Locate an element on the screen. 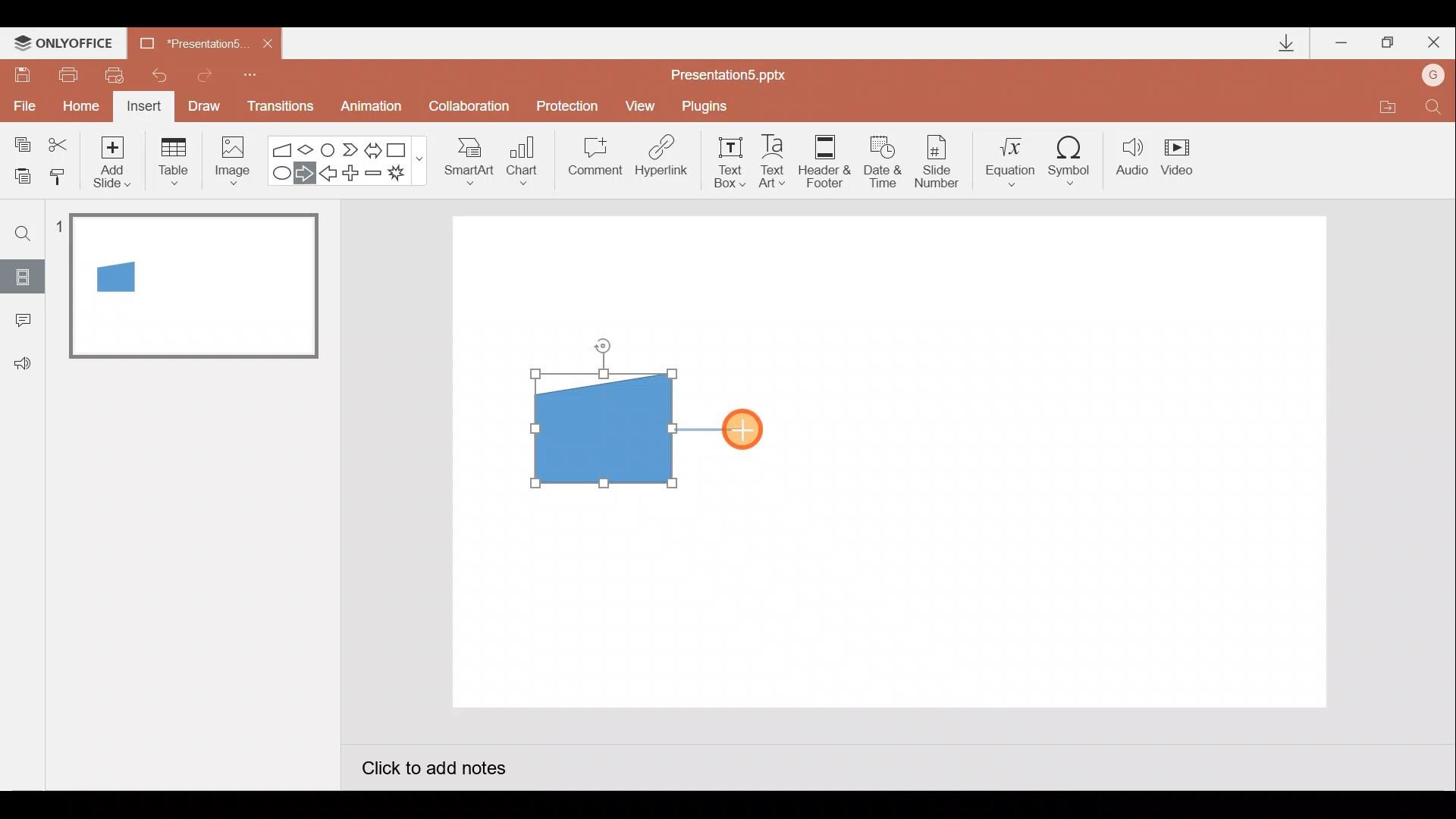  Audio is located at coordinates (1133, 160).